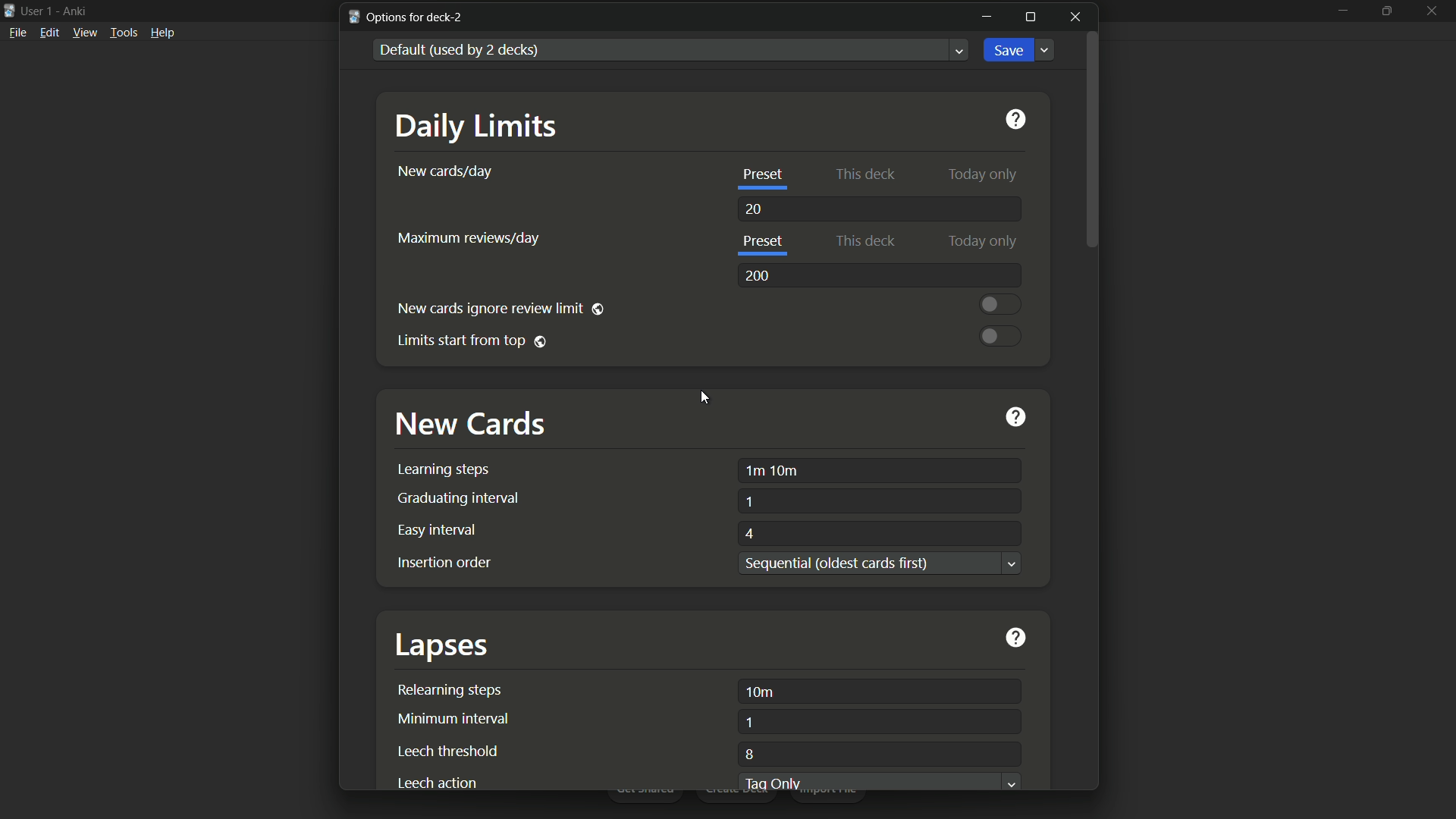 This screenshot has height=819, width=1456. What do you see at coordinates (448, 171) in the screenshot?
I see `new cards per day` at bounding box center [448, 171].